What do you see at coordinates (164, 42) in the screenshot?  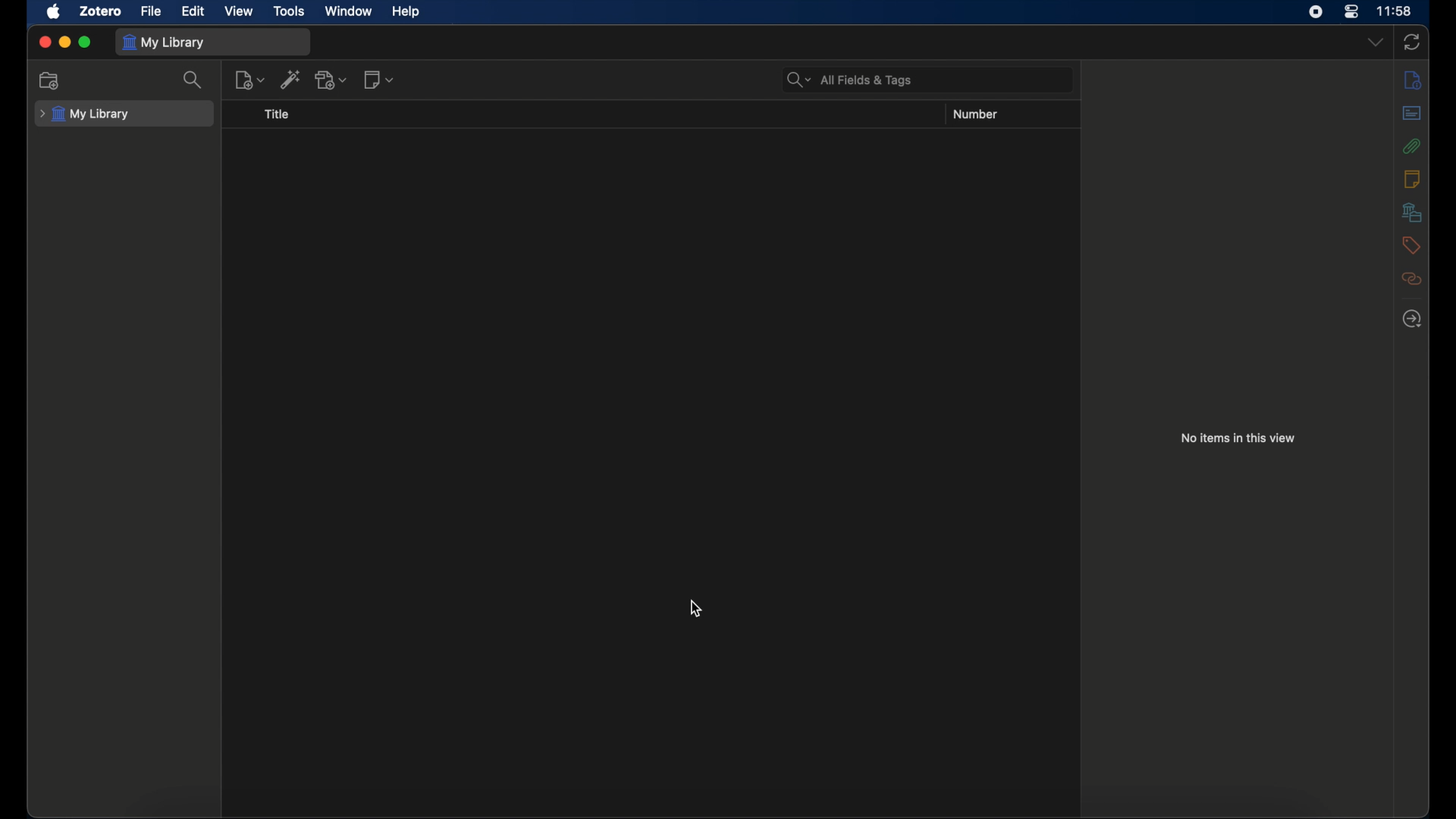 I see `my library` at bounding box center [164, 42].